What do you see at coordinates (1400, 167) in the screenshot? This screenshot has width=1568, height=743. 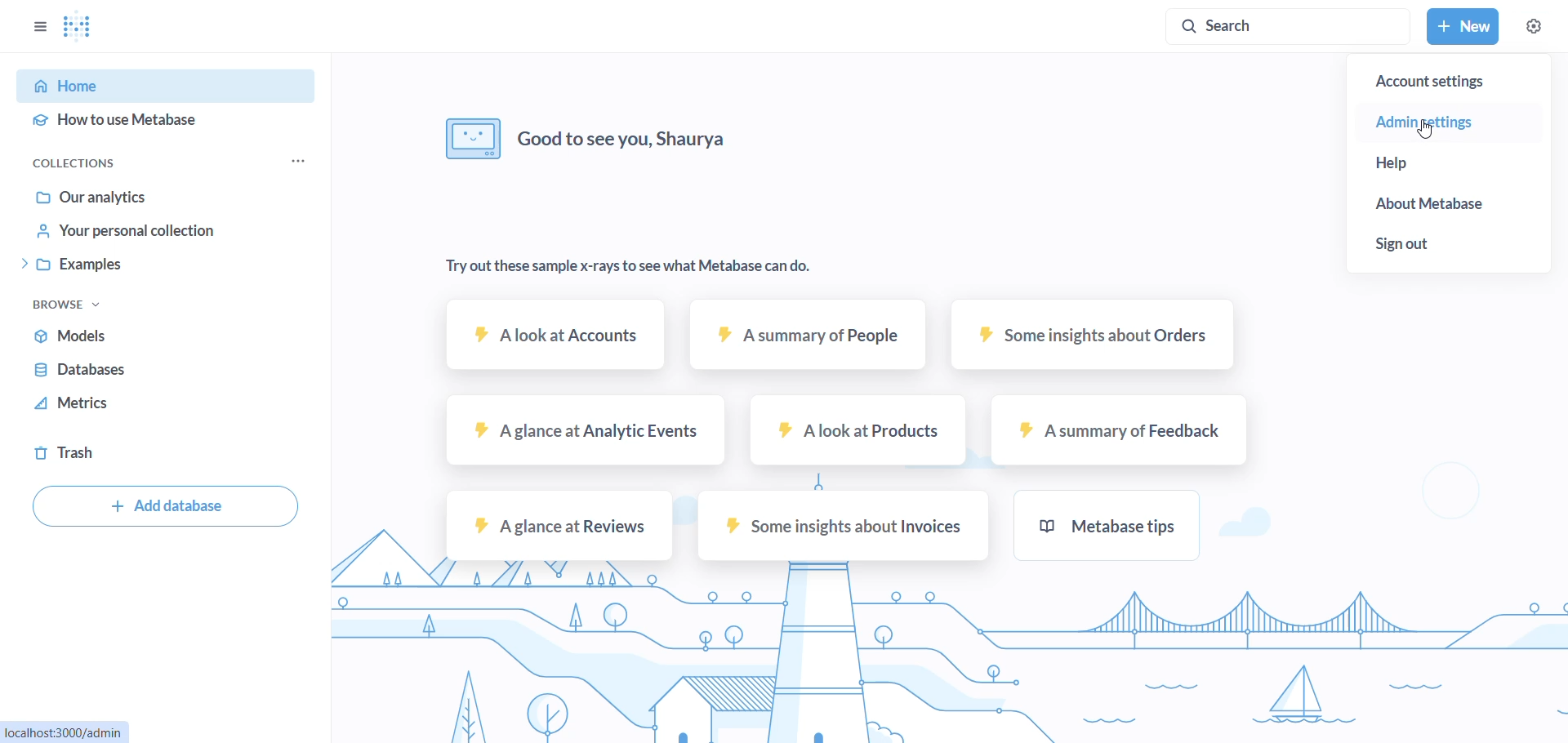 I see `help` at bounding box center [1400, 167].